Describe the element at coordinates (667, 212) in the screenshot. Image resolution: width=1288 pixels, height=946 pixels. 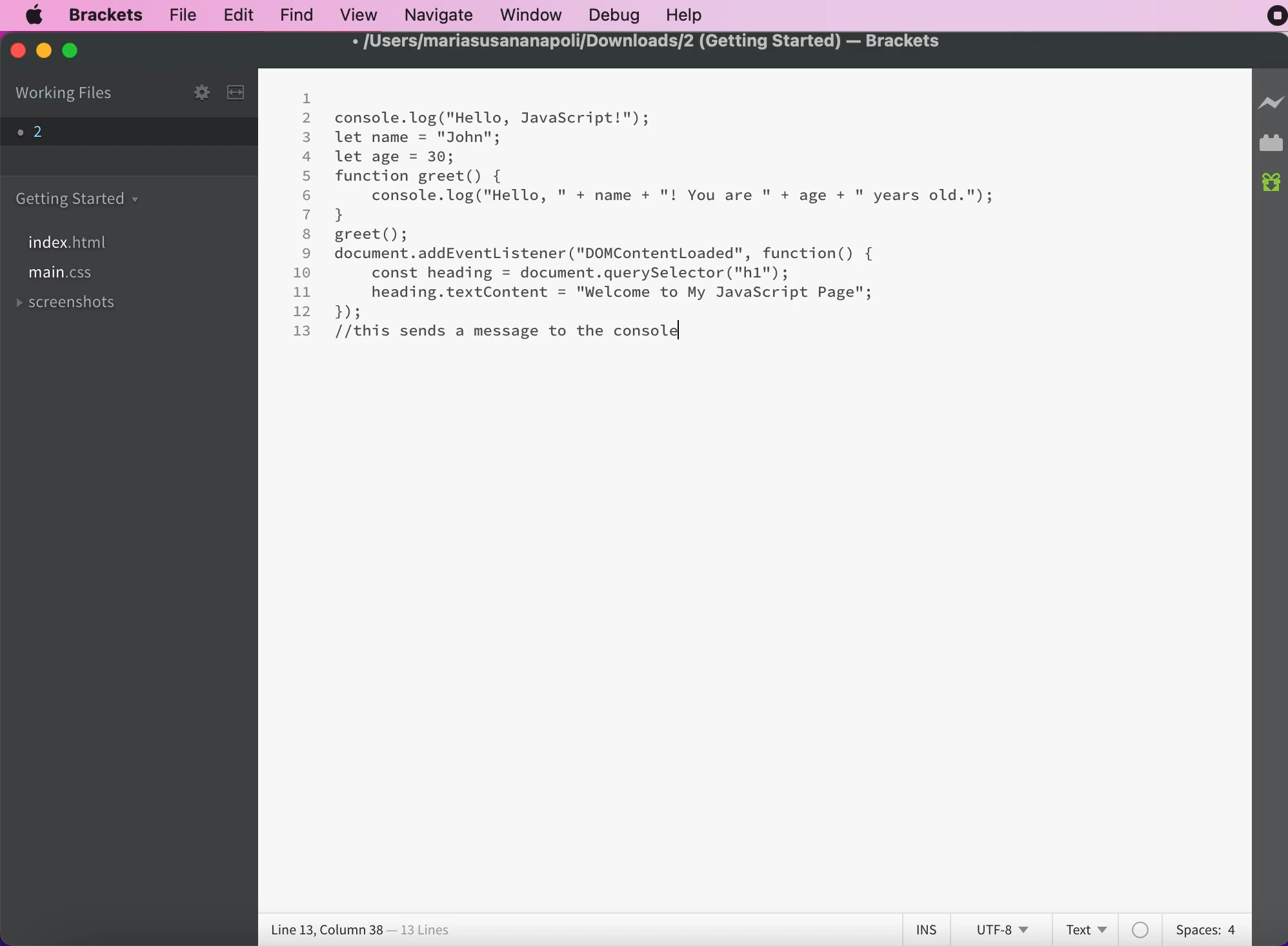
I see `console. log("Hello, JavaScript!");let name = "John";let age = 30;function greet() {console.log("Hello, " + name + "! You are " + age + " years old.");}greet();document.addEventListener ("DOMContentLoaded", function() {const heading = document.querySelector("h1");heading.textContent = "Welcome to My JavaScript Page"; });` at that location.